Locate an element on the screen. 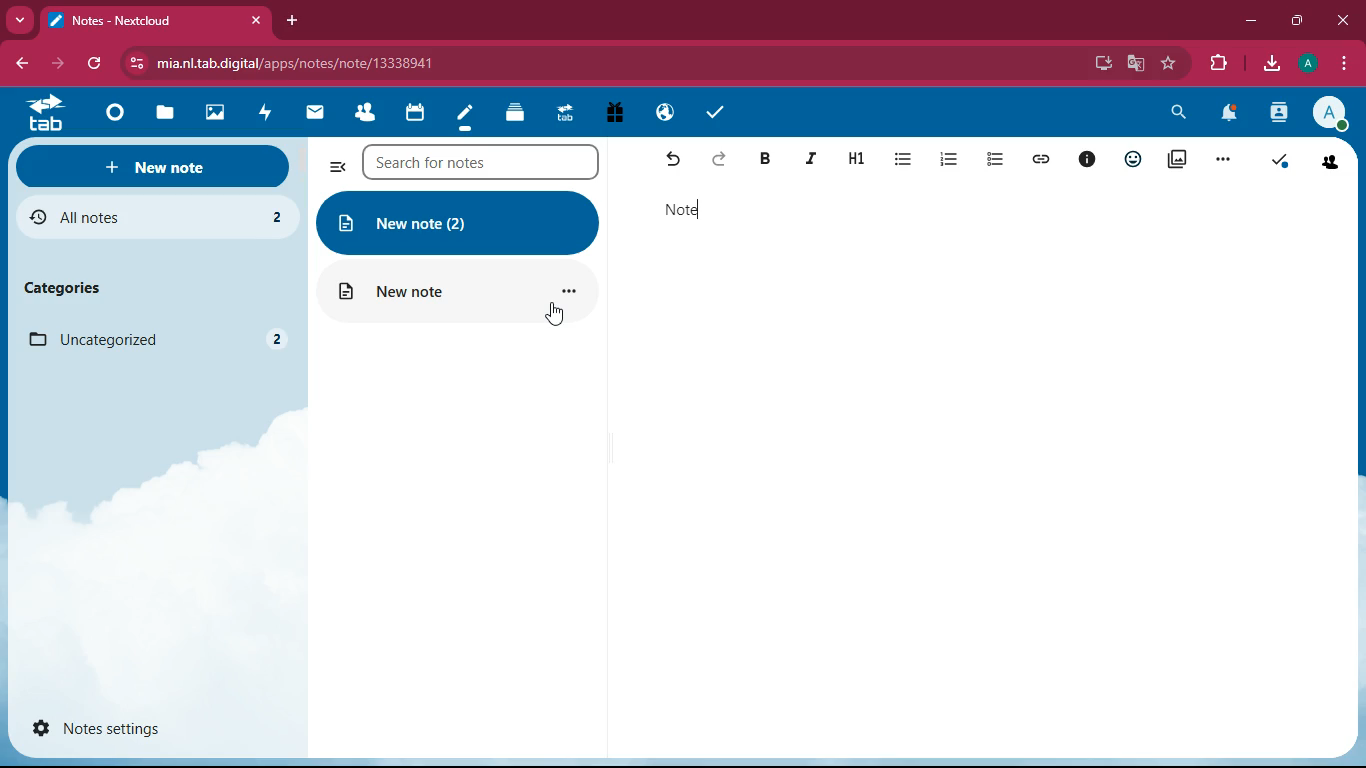  note is located at coordinates (693, 211).